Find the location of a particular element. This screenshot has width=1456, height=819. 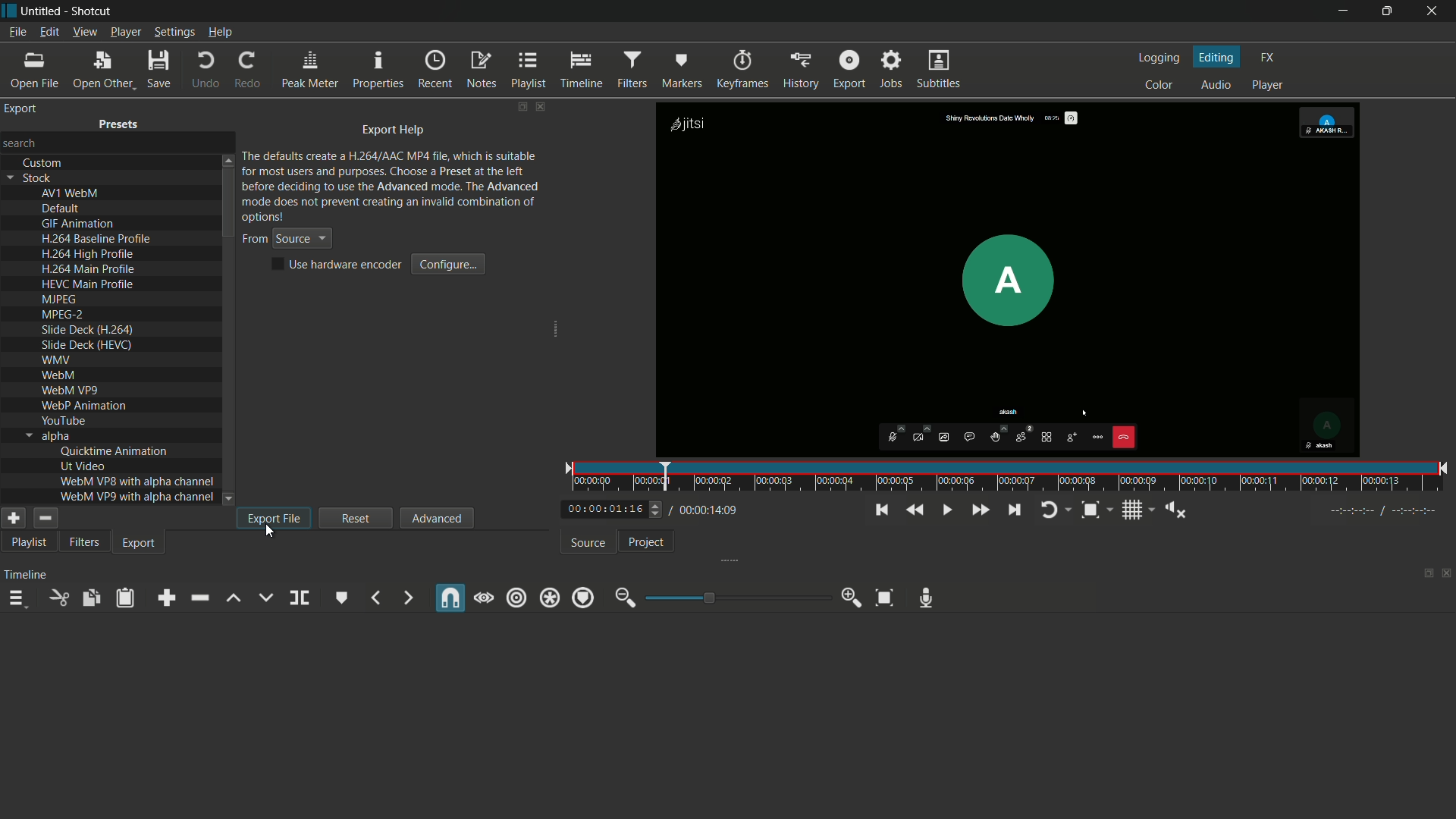

imported file is located at coordinates (1009, 280).